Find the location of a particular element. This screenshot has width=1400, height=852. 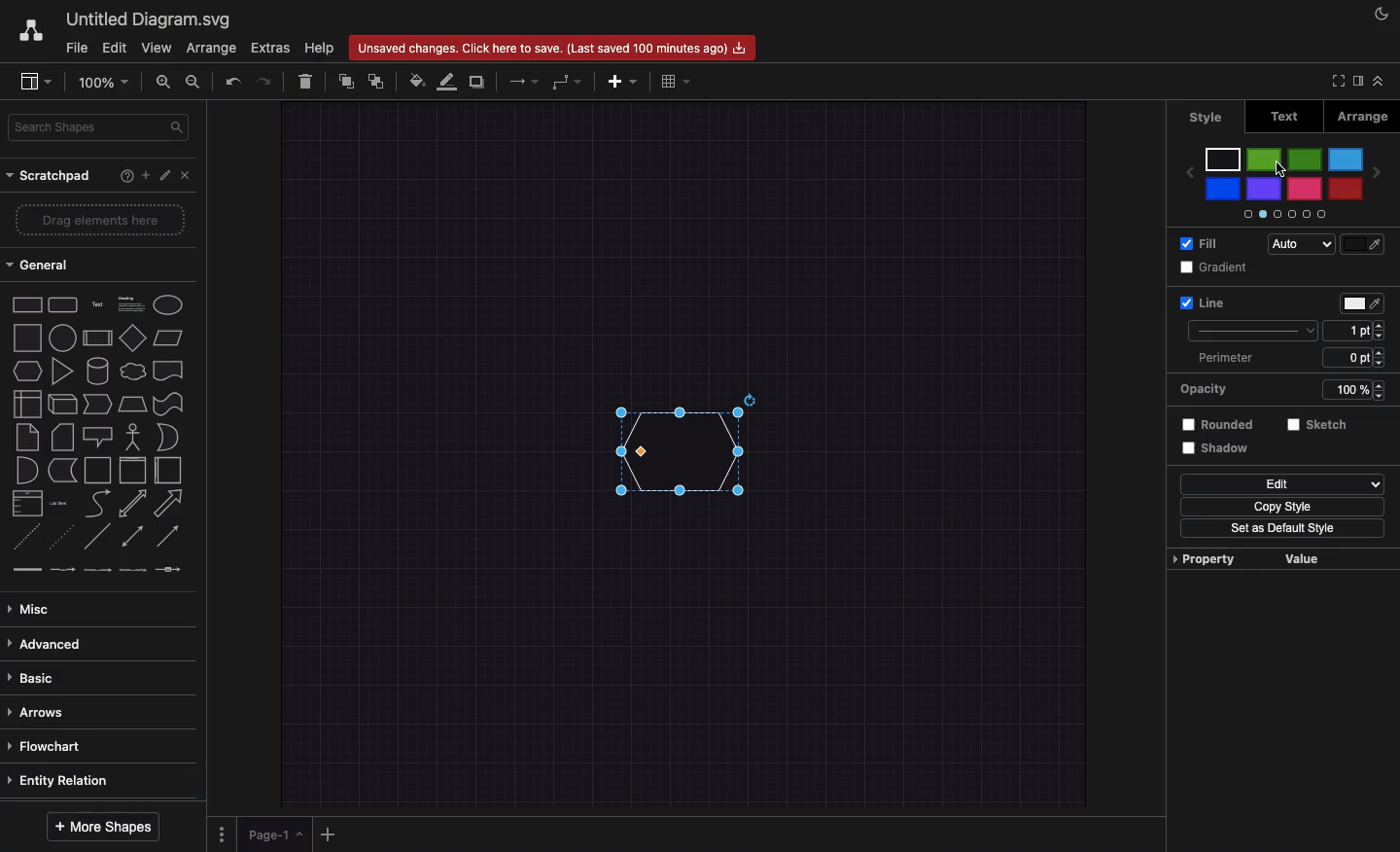

Drag elements here is located at coordinates (104, 219).